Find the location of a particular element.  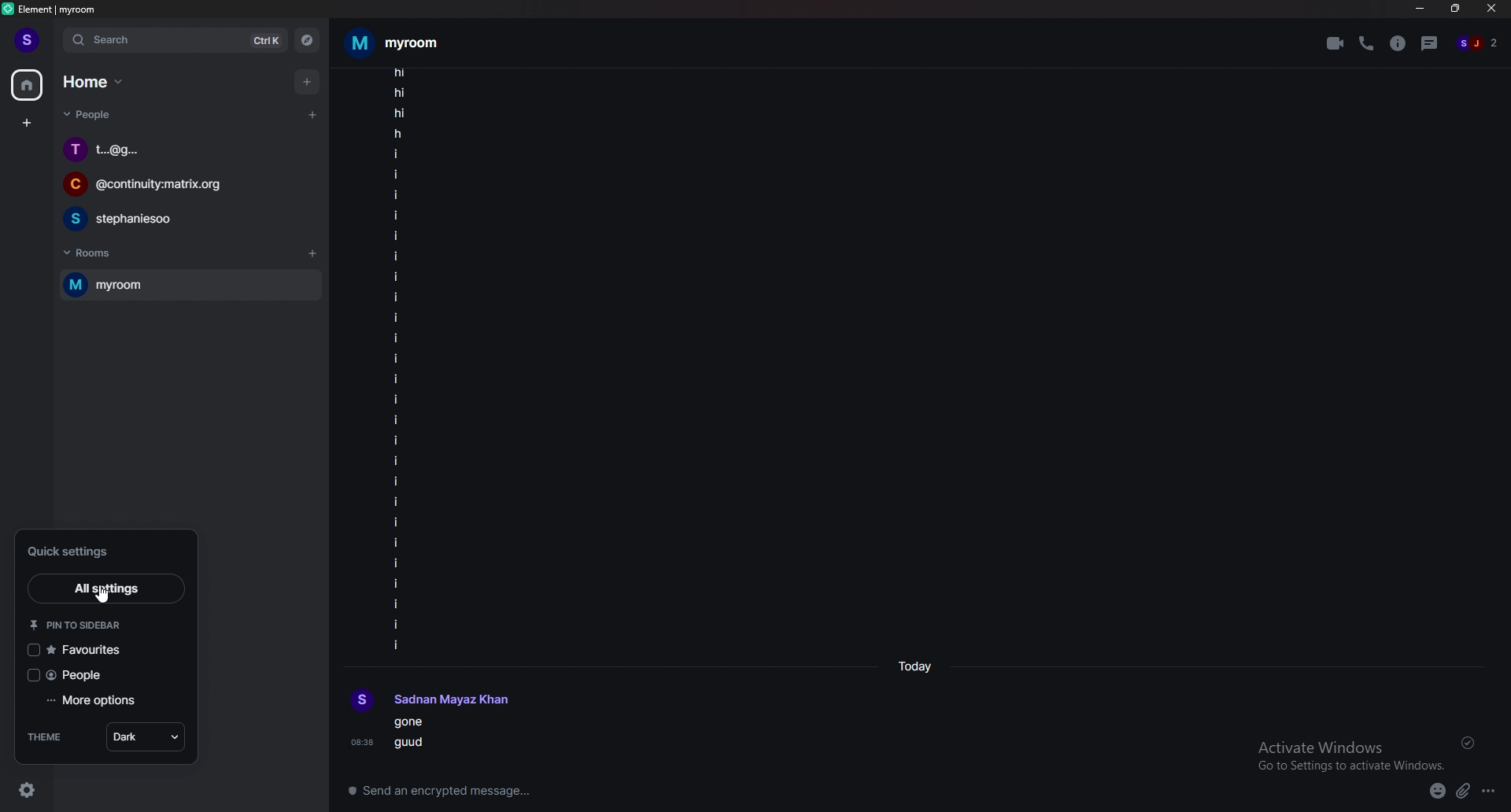

texts is located at coordinates (401, 359).